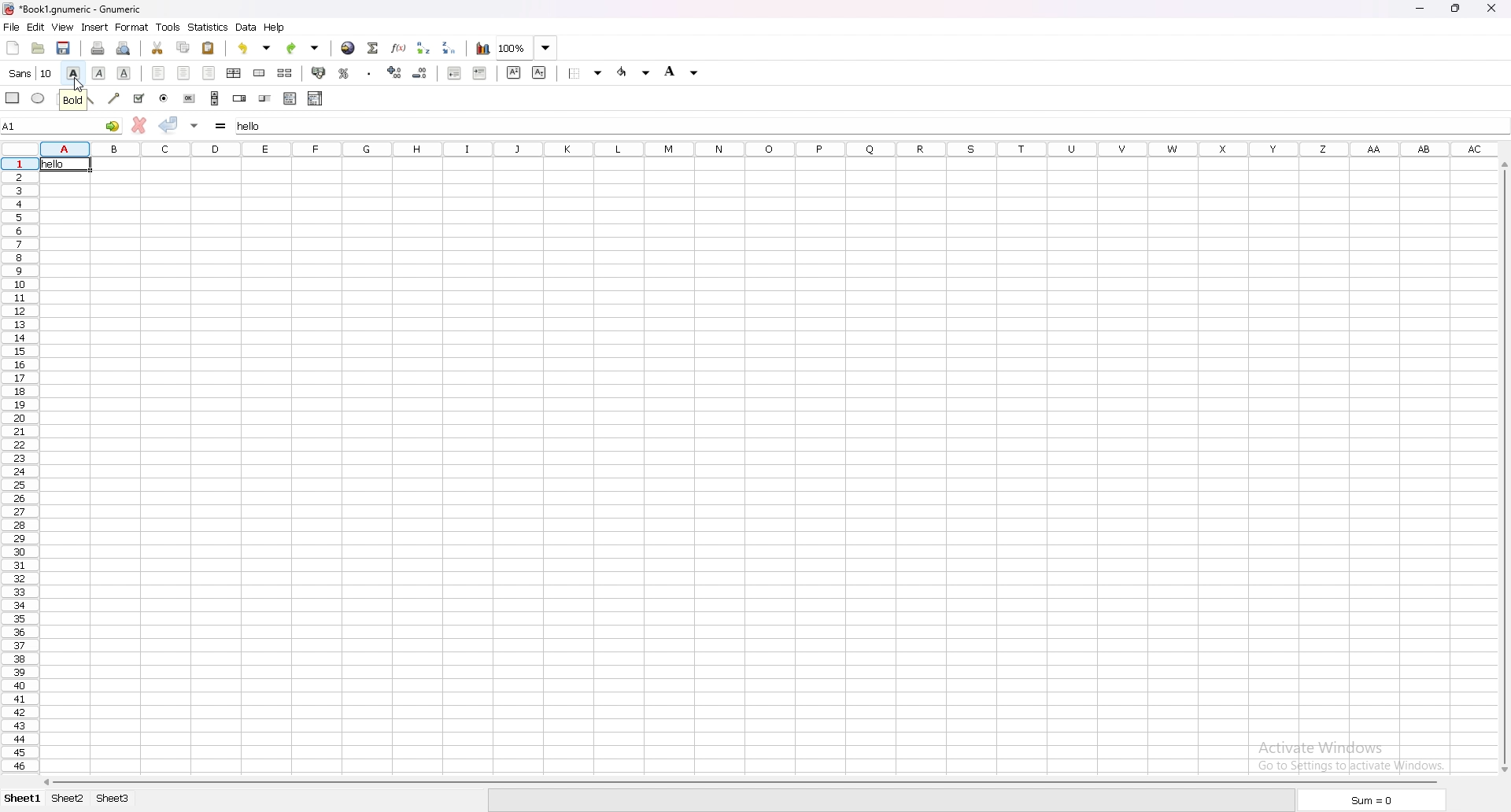  I want to click on align right, so click(210, 73).